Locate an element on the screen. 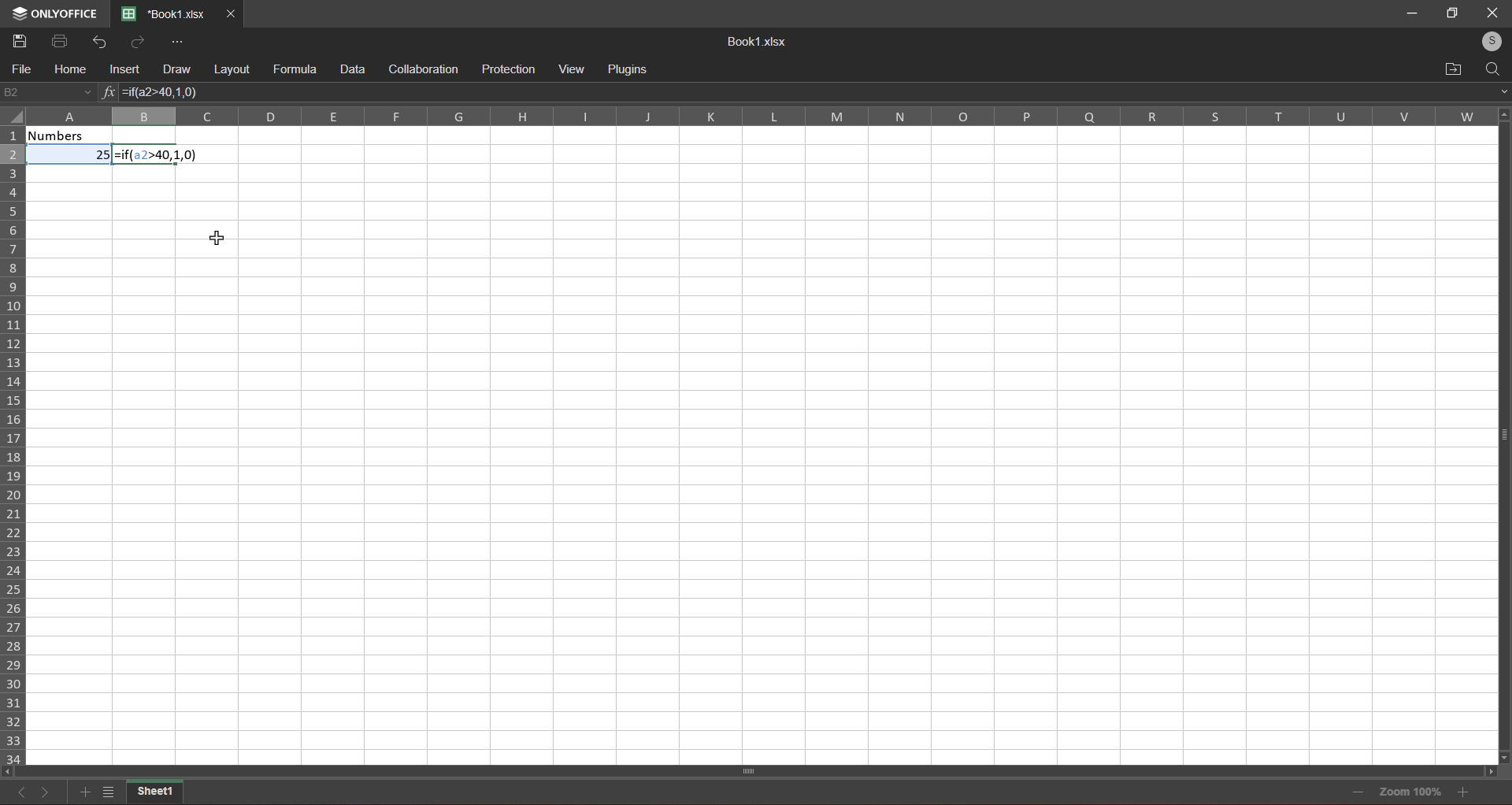  view is located at coordinates (574, 69).